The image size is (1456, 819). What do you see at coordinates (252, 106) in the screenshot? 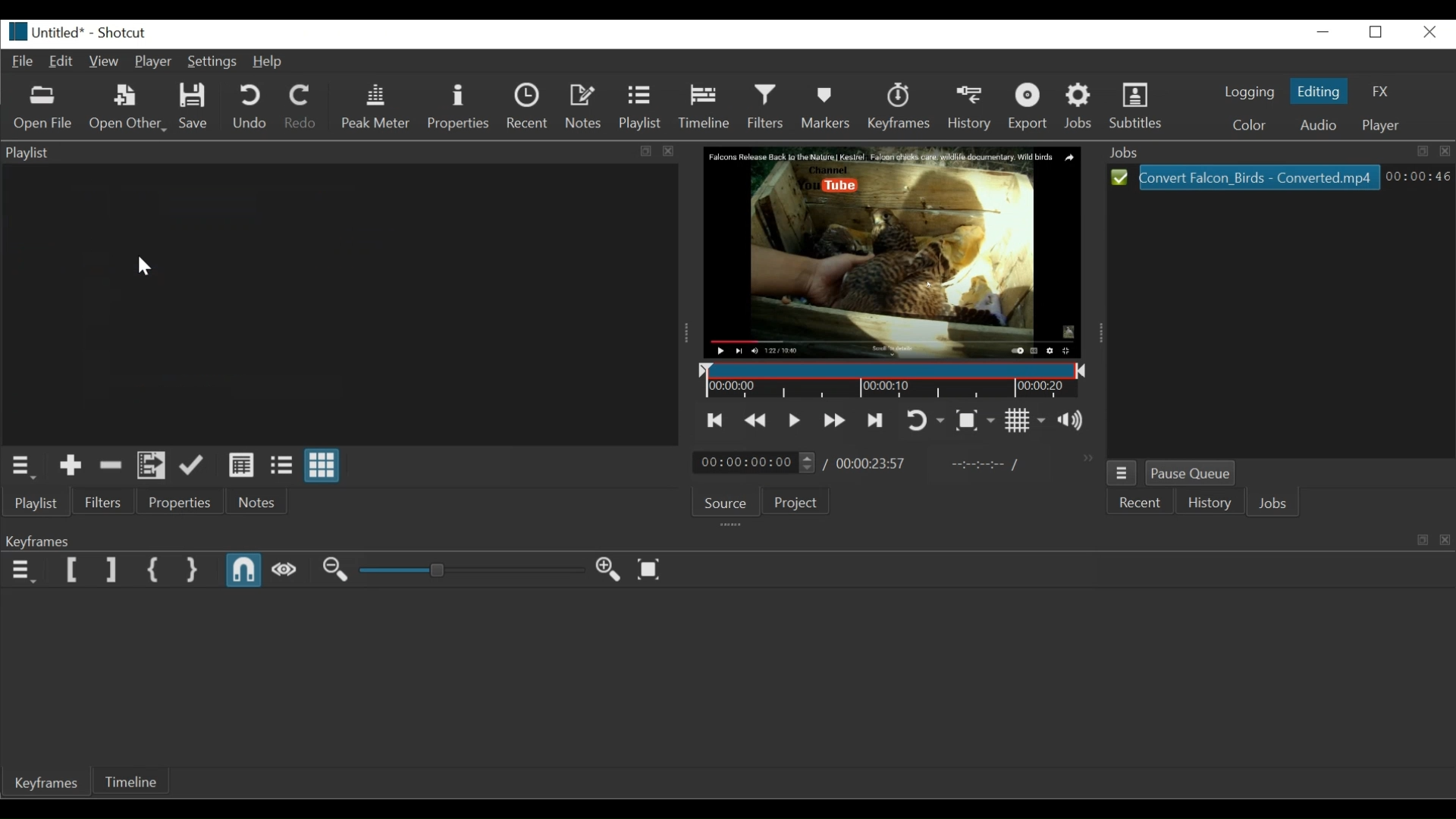
I see `Undo` at bounding box center [252, 106].